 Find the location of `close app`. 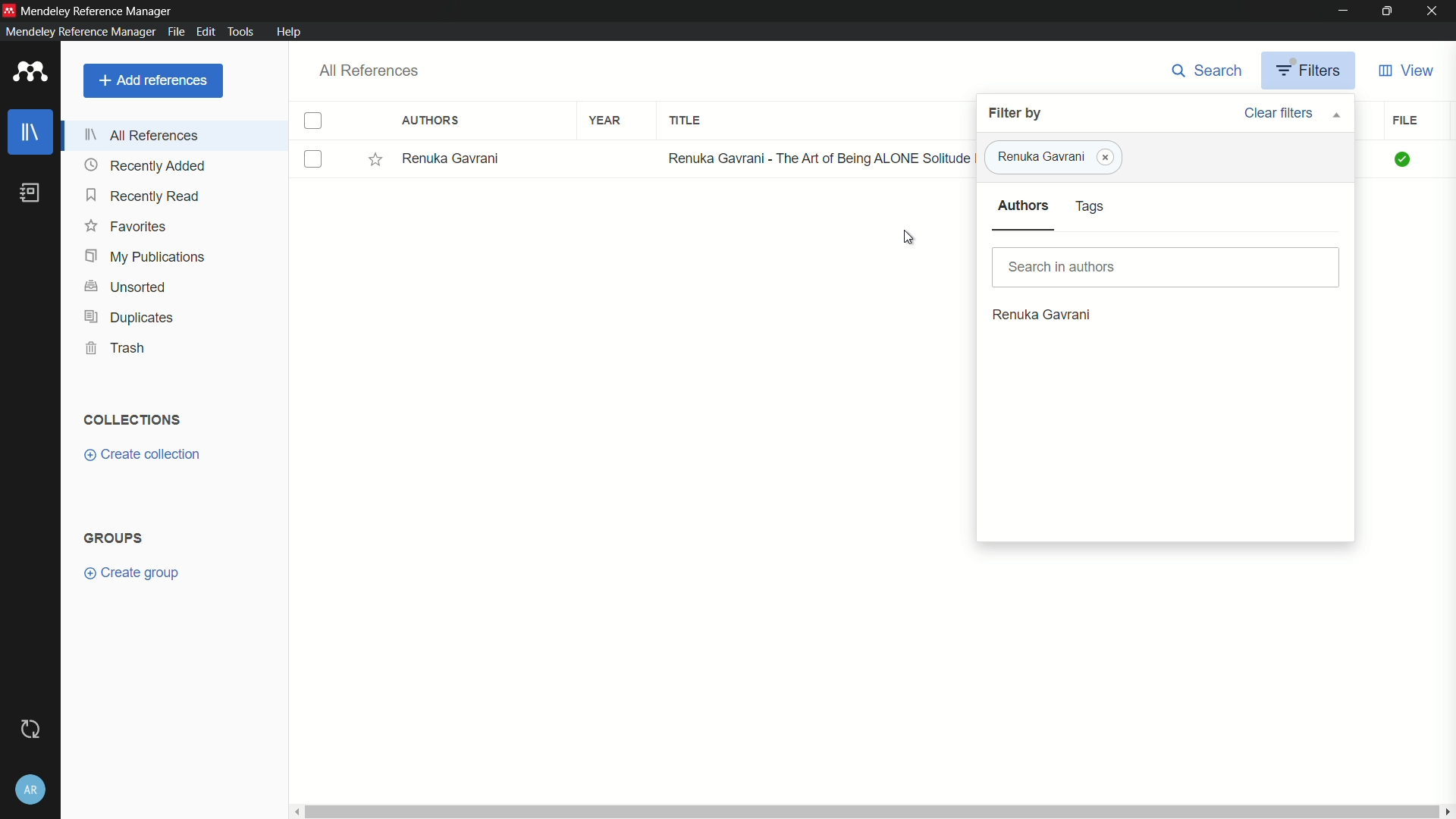

close app is located at coordinates (1435, 11).